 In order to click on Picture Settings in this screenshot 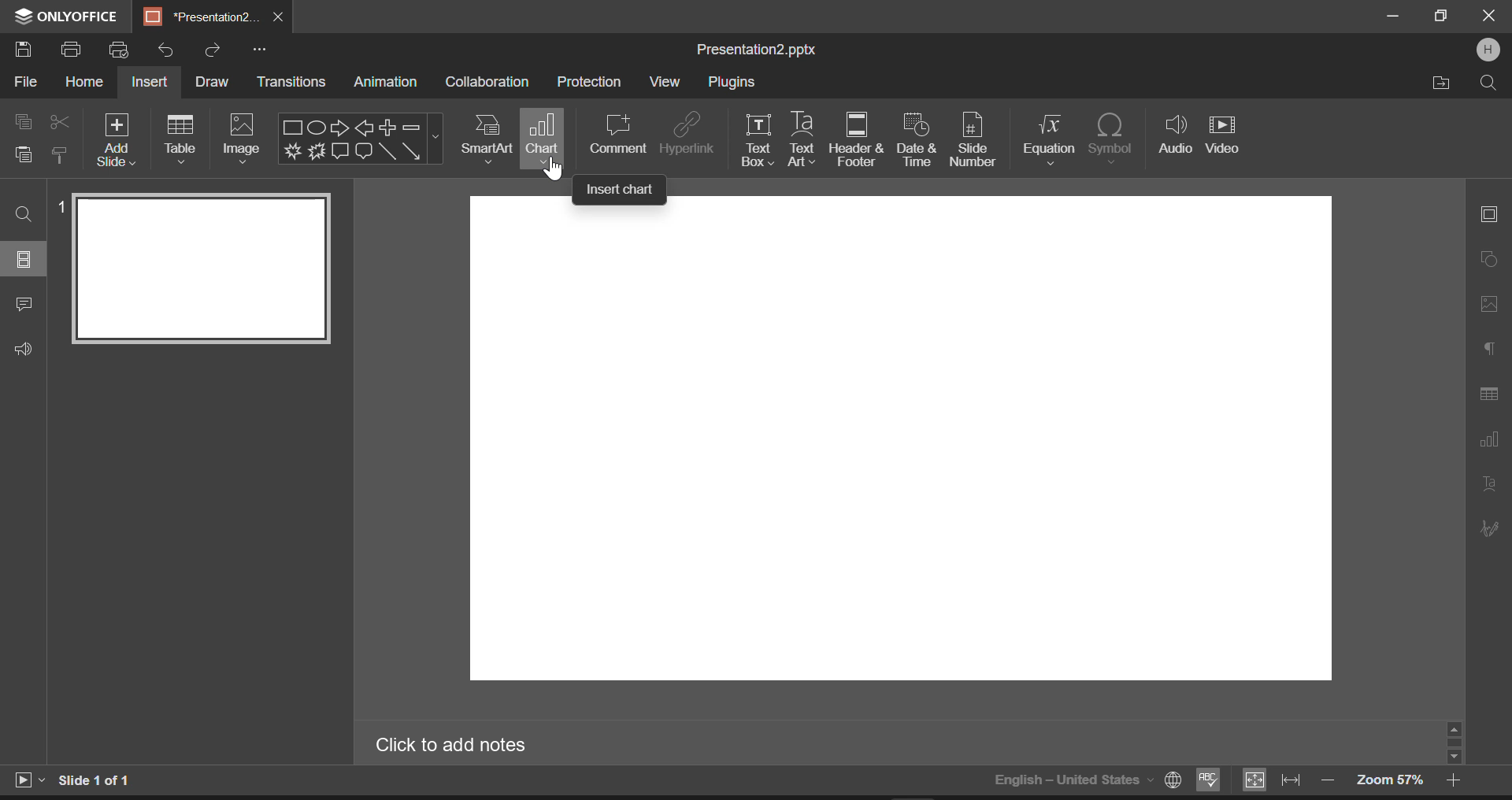, I will do `click(1485, 303)`.